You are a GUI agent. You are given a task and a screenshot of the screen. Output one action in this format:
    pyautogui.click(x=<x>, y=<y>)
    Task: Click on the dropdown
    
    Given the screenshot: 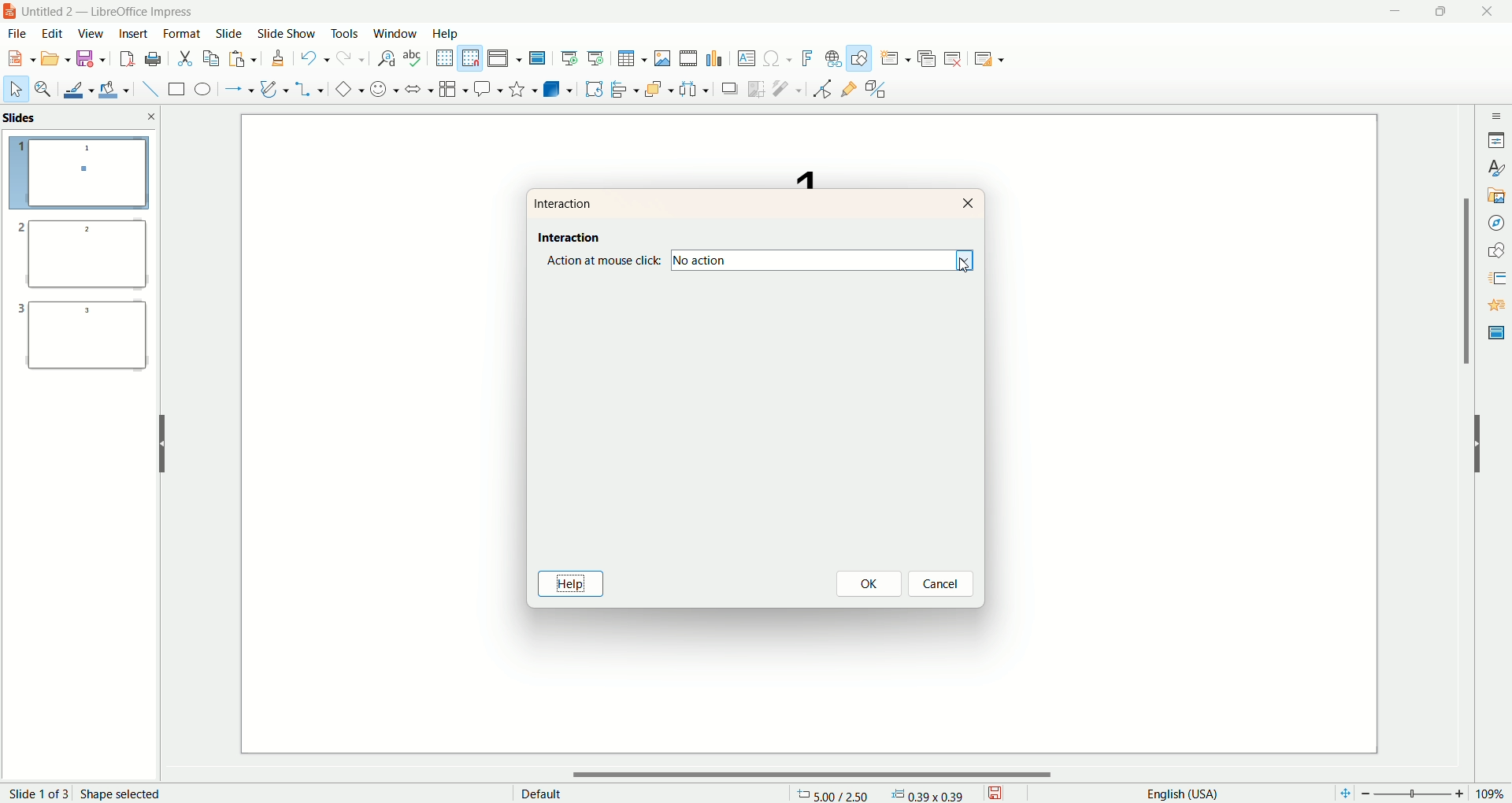 What is the action you would take?
    pyautogui.click(x=966, y=261)
    